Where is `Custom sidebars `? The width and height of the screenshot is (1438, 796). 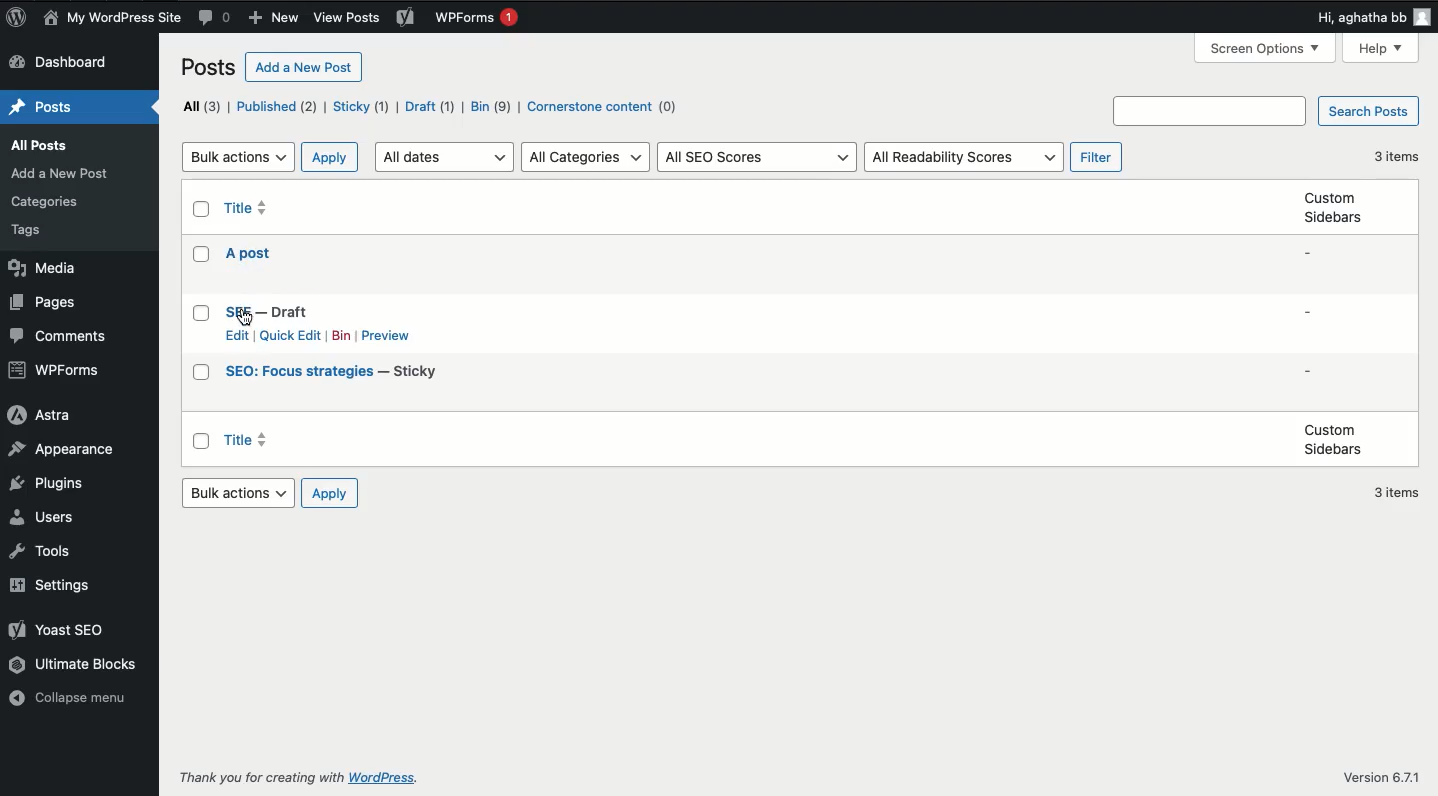
Custom sidebars  is located at coordinates (1331, 208).